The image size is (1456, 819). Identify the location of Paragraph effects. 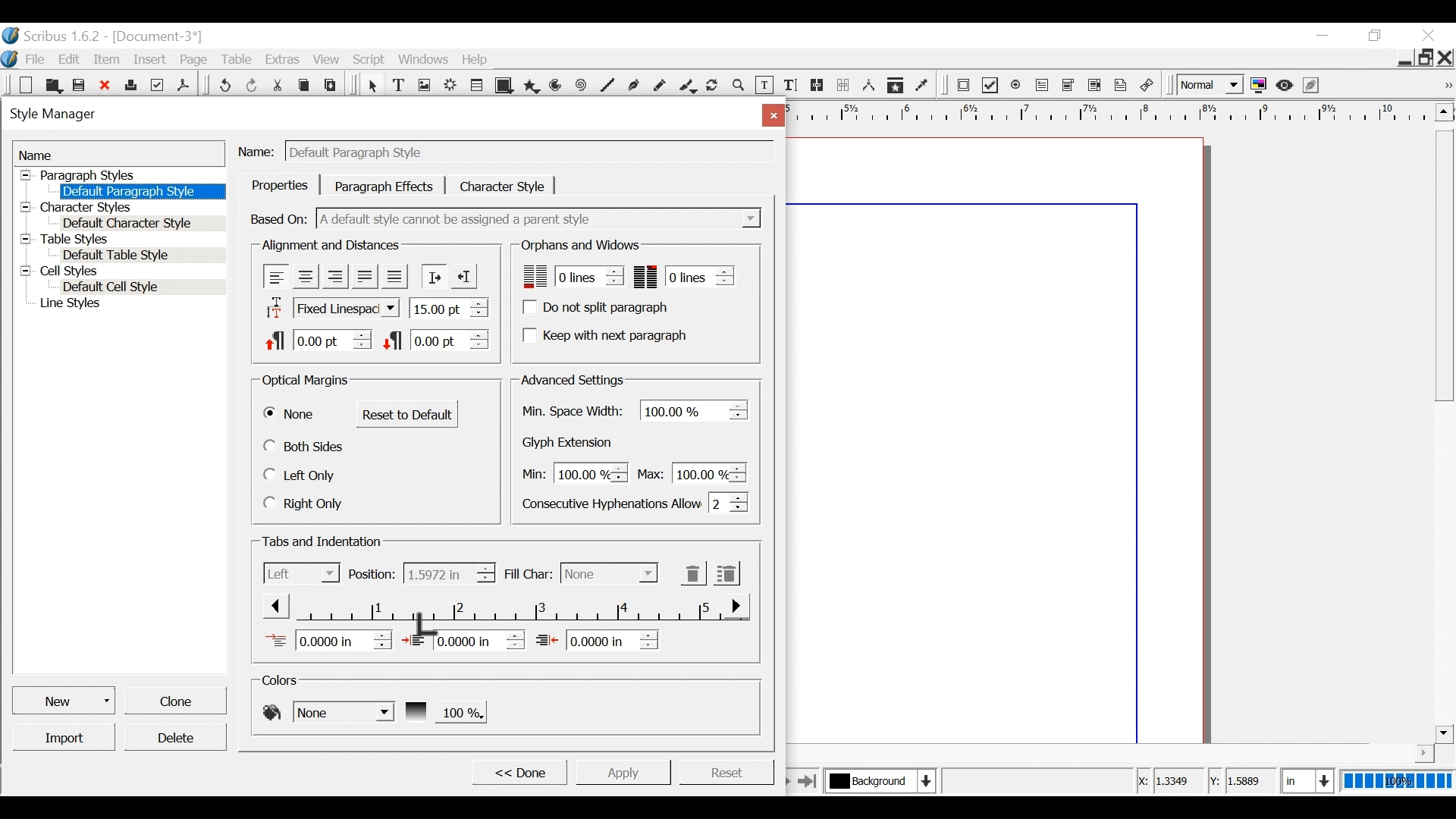
(384, 185).